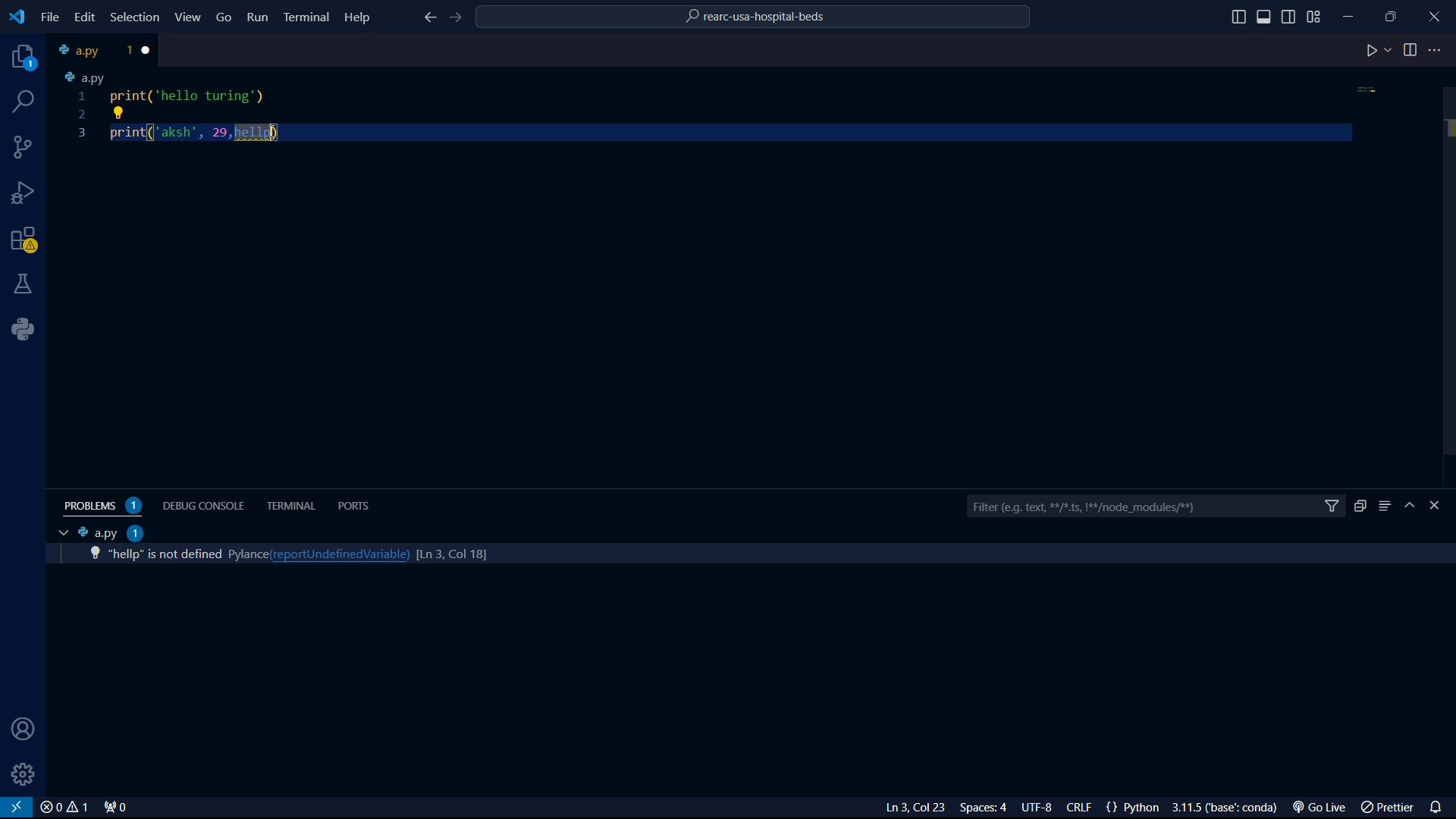 This screenshot has height=819, width=1456. I want to click on edit, so click(83, 17).